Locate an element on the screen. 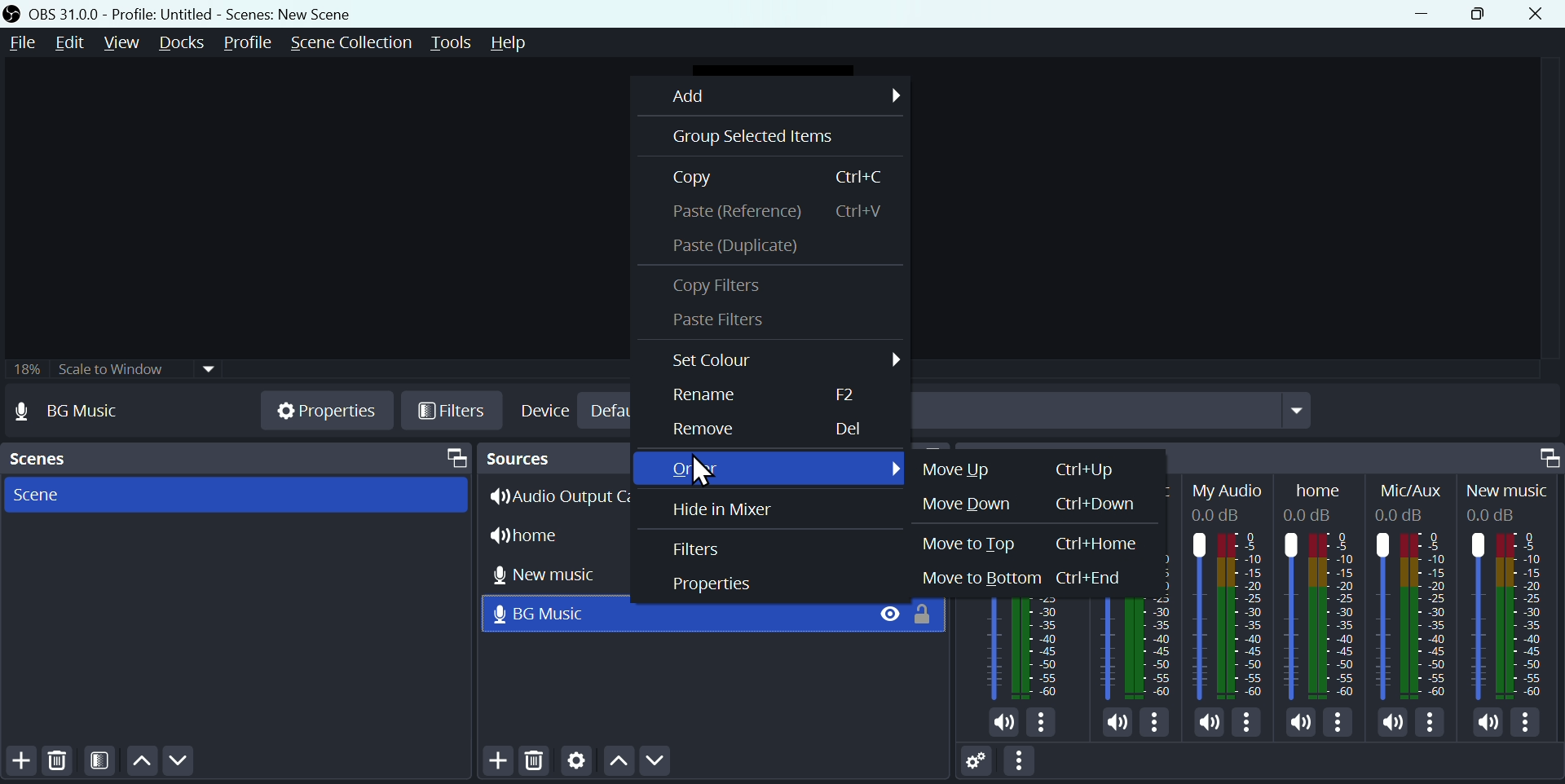  home is located at coordinates (553, 534).